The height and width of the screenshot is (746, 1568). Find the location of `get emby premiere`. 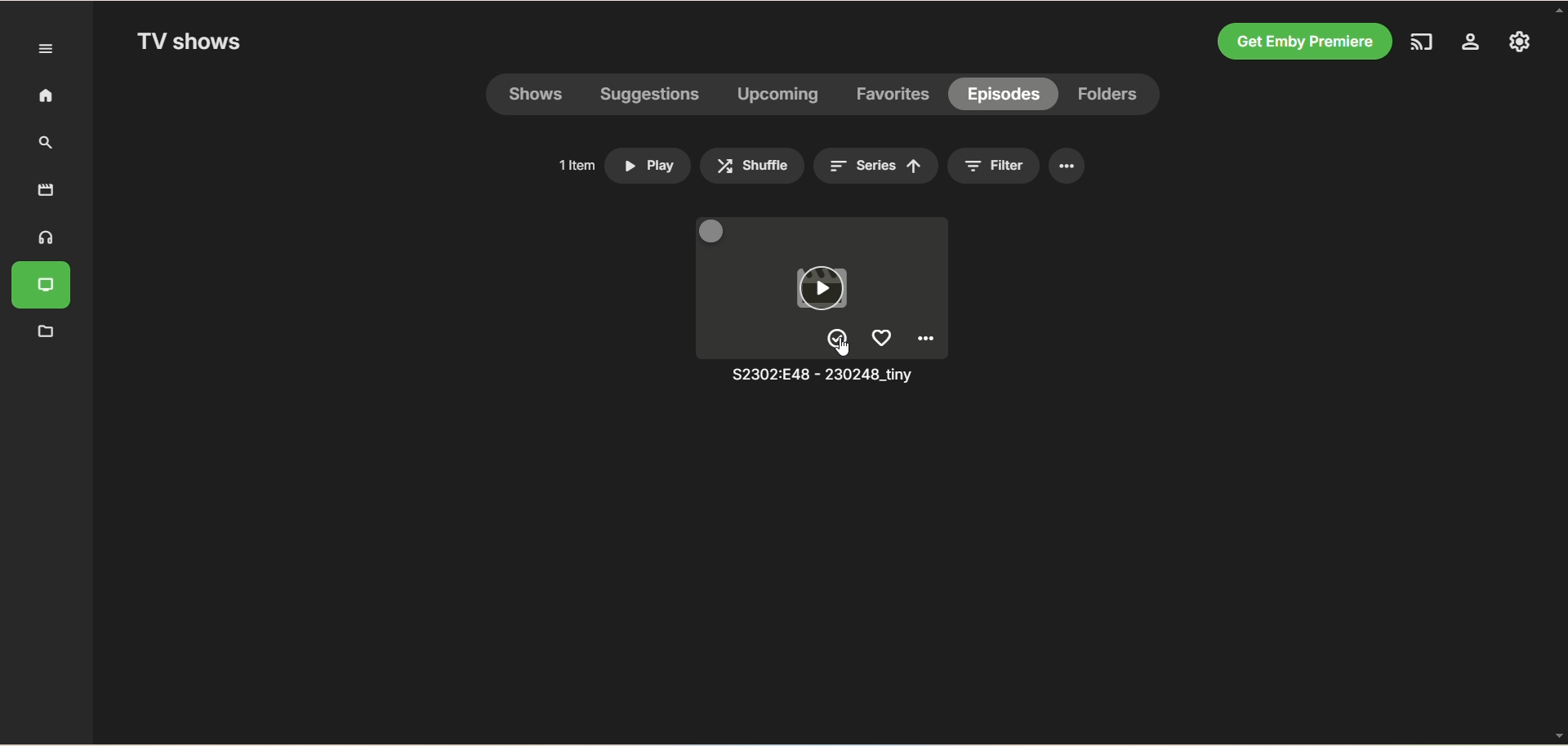

get emby premiere is located at coordinates (1306, 40).